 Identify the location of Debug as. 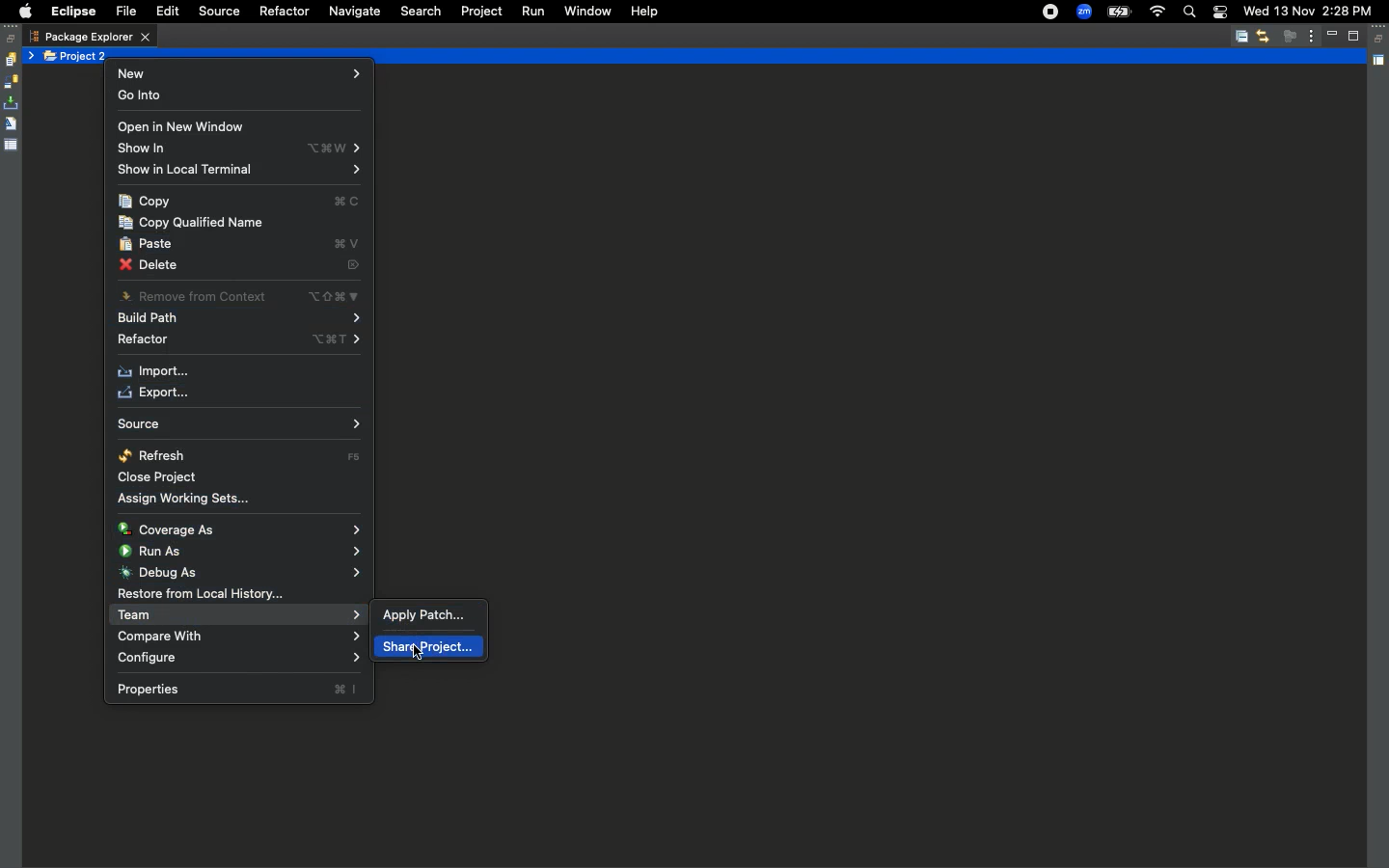
(239, 572).